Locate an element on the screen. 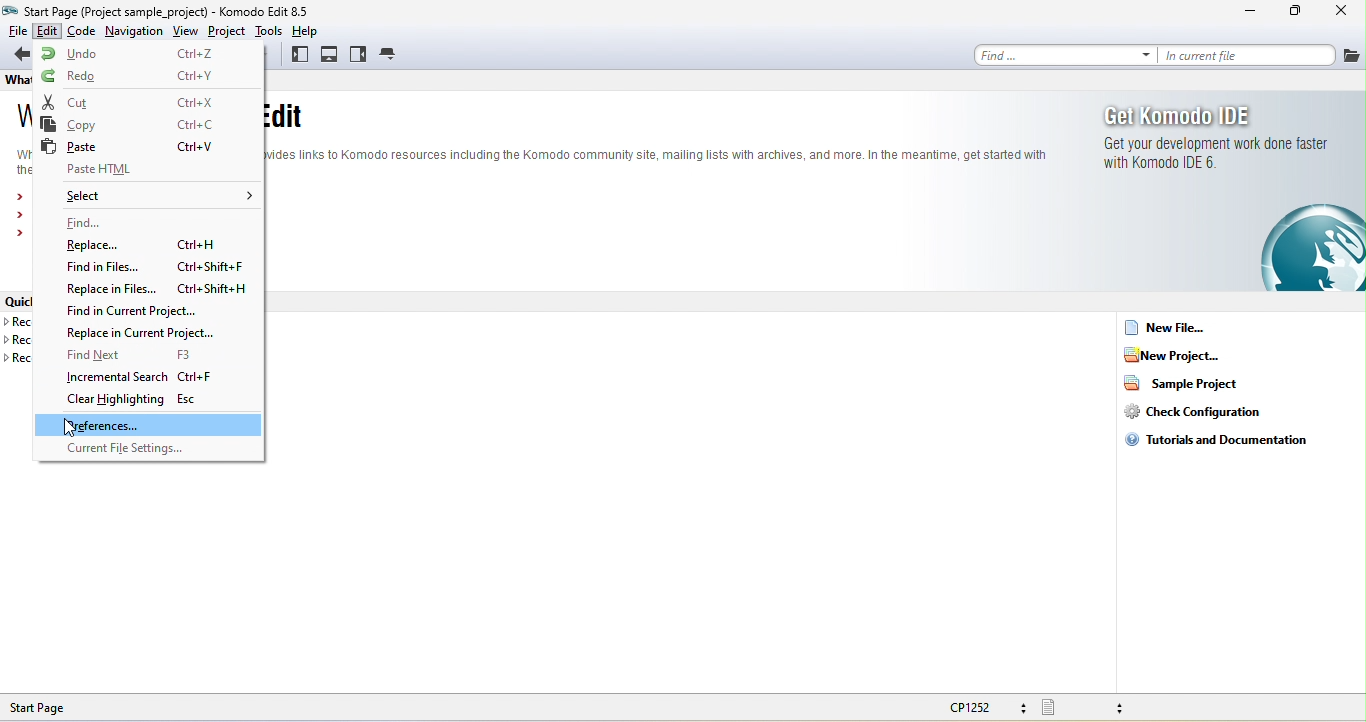  current file settings is located at coordinates (137, 450).